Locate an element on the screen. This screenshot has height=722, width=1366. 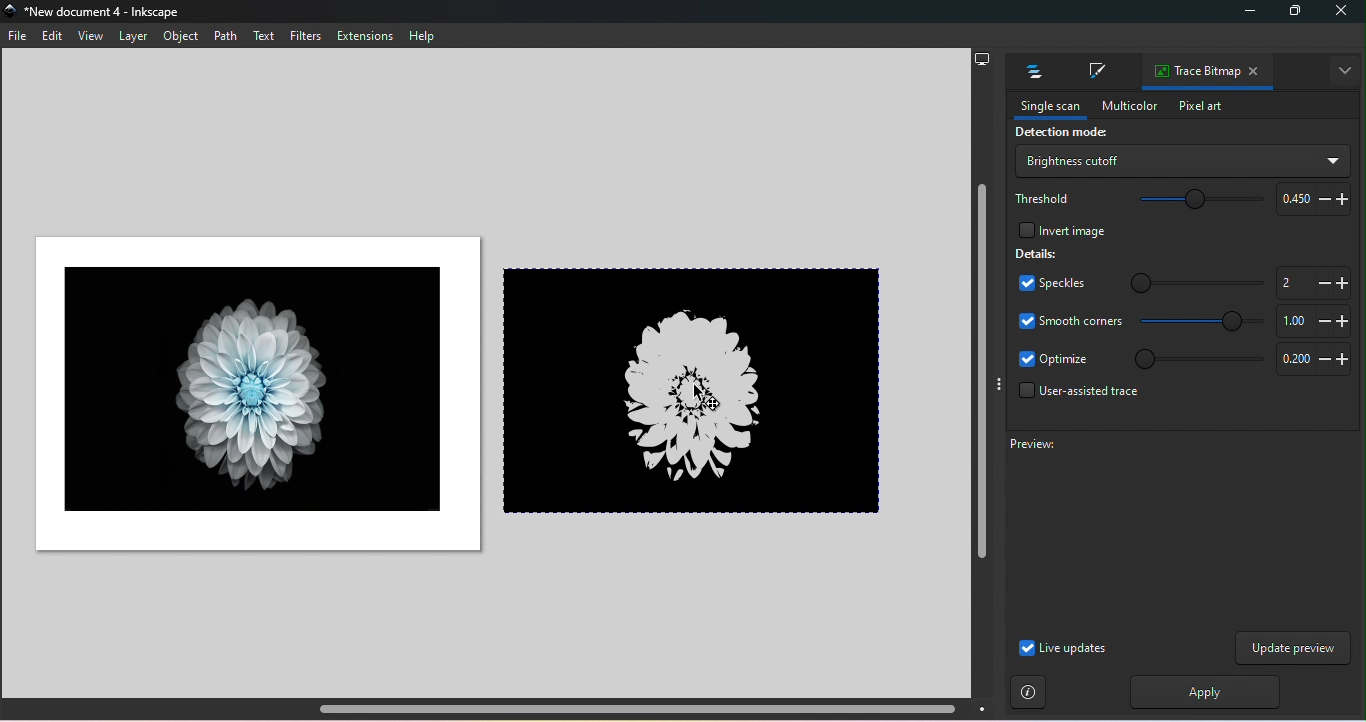
Drop down menu is located at coordinates (1181, 161).